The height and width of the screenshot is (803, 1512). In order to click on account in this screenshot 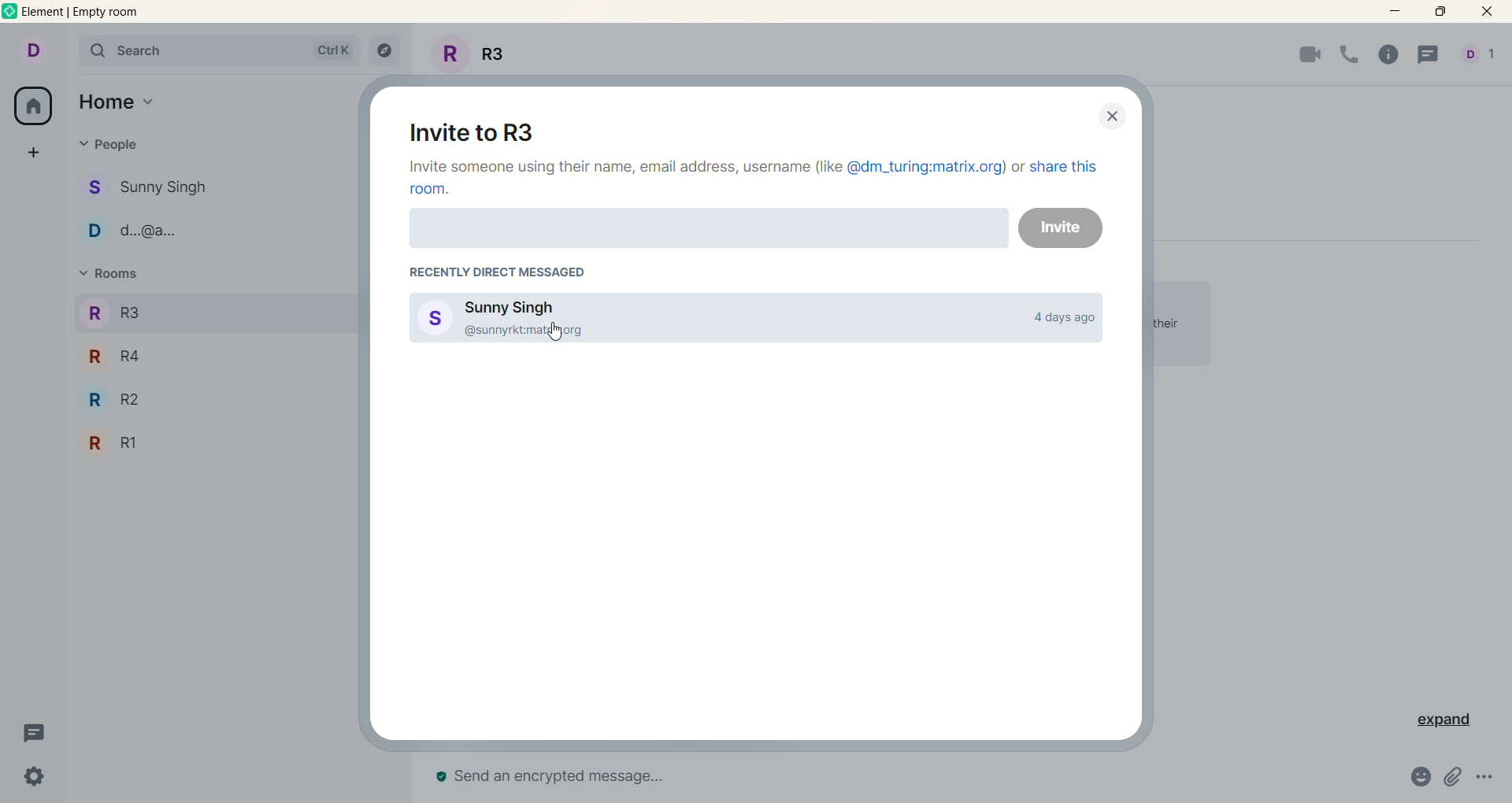, I will do `click(31, 50)`.